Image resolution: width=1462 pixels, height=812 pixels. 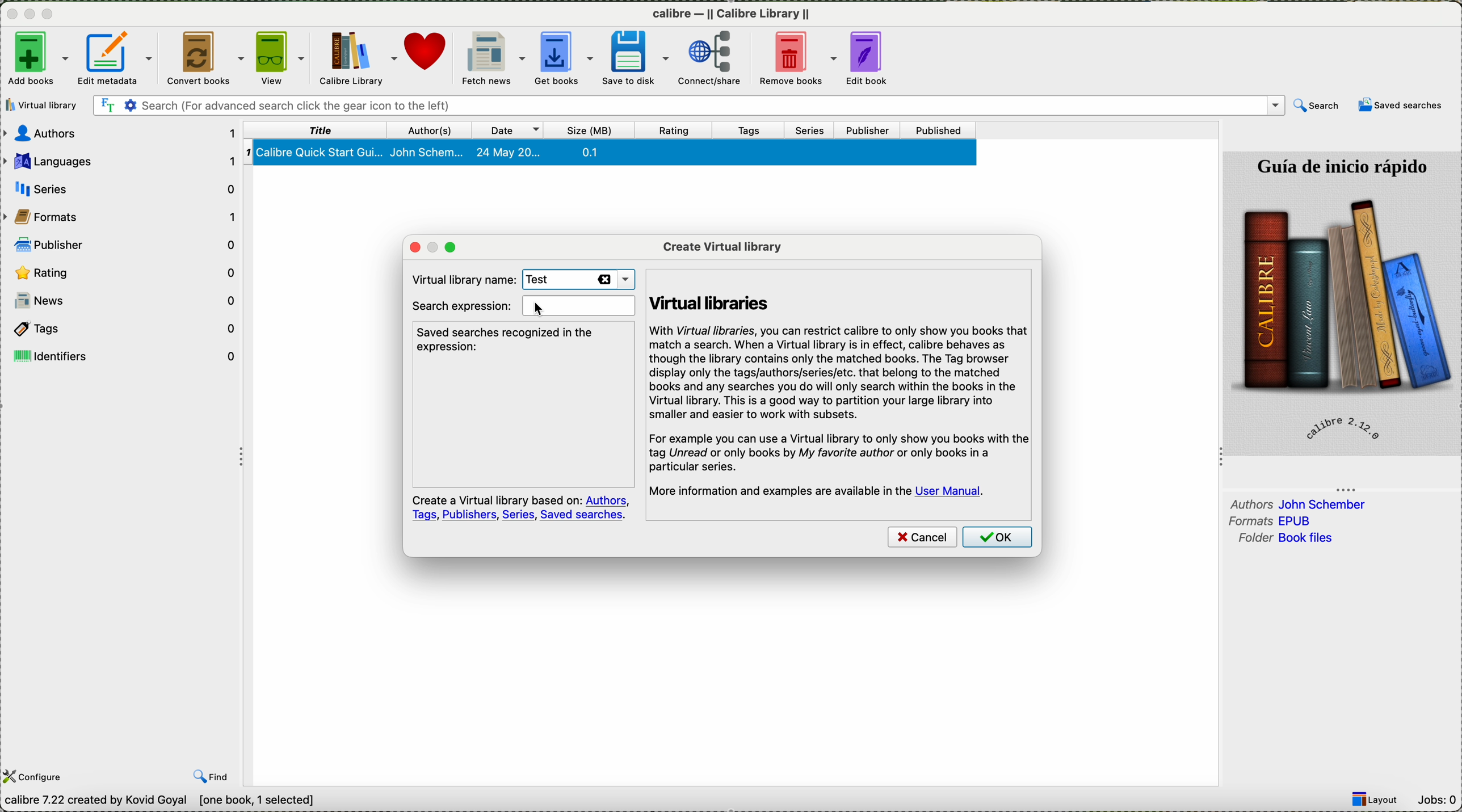 What do you see at coordinates (1379, 800) in the screenshot?
I see `layout` at bounding box center [1379, 800].